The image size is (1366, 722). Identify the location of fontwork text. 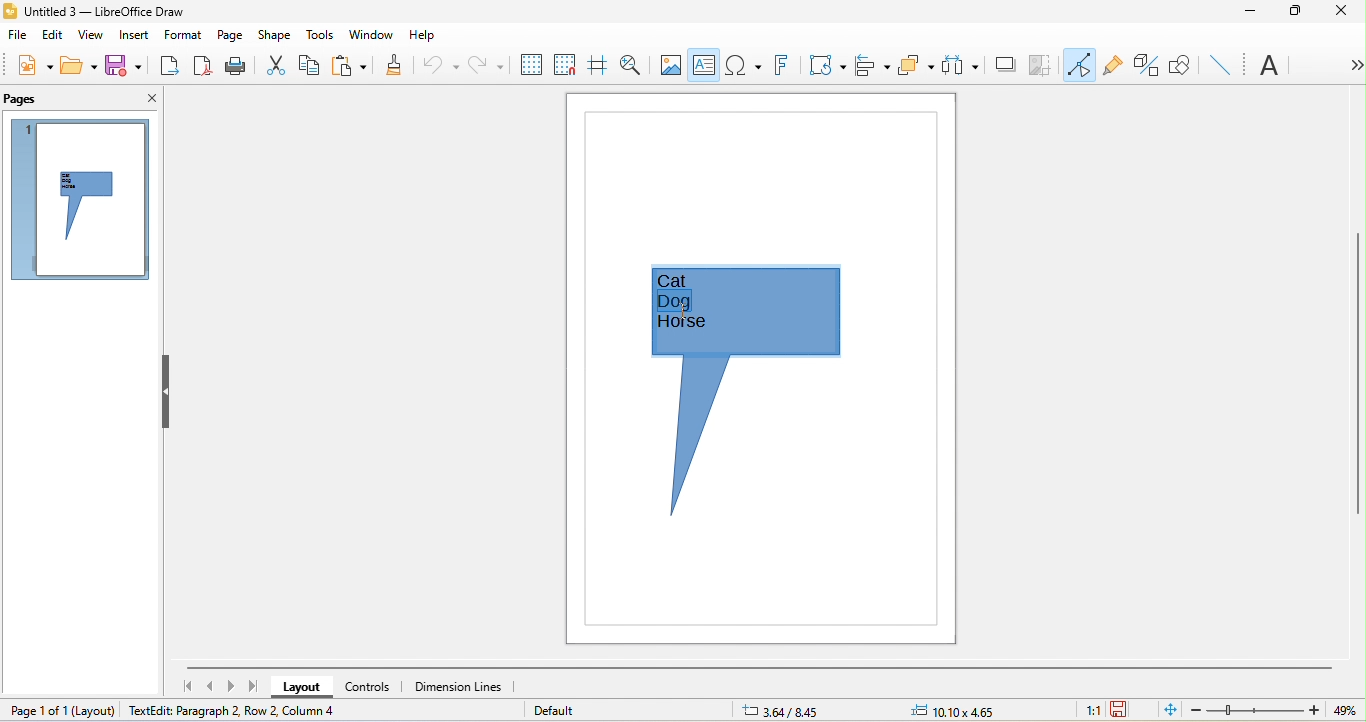
(779, 67).